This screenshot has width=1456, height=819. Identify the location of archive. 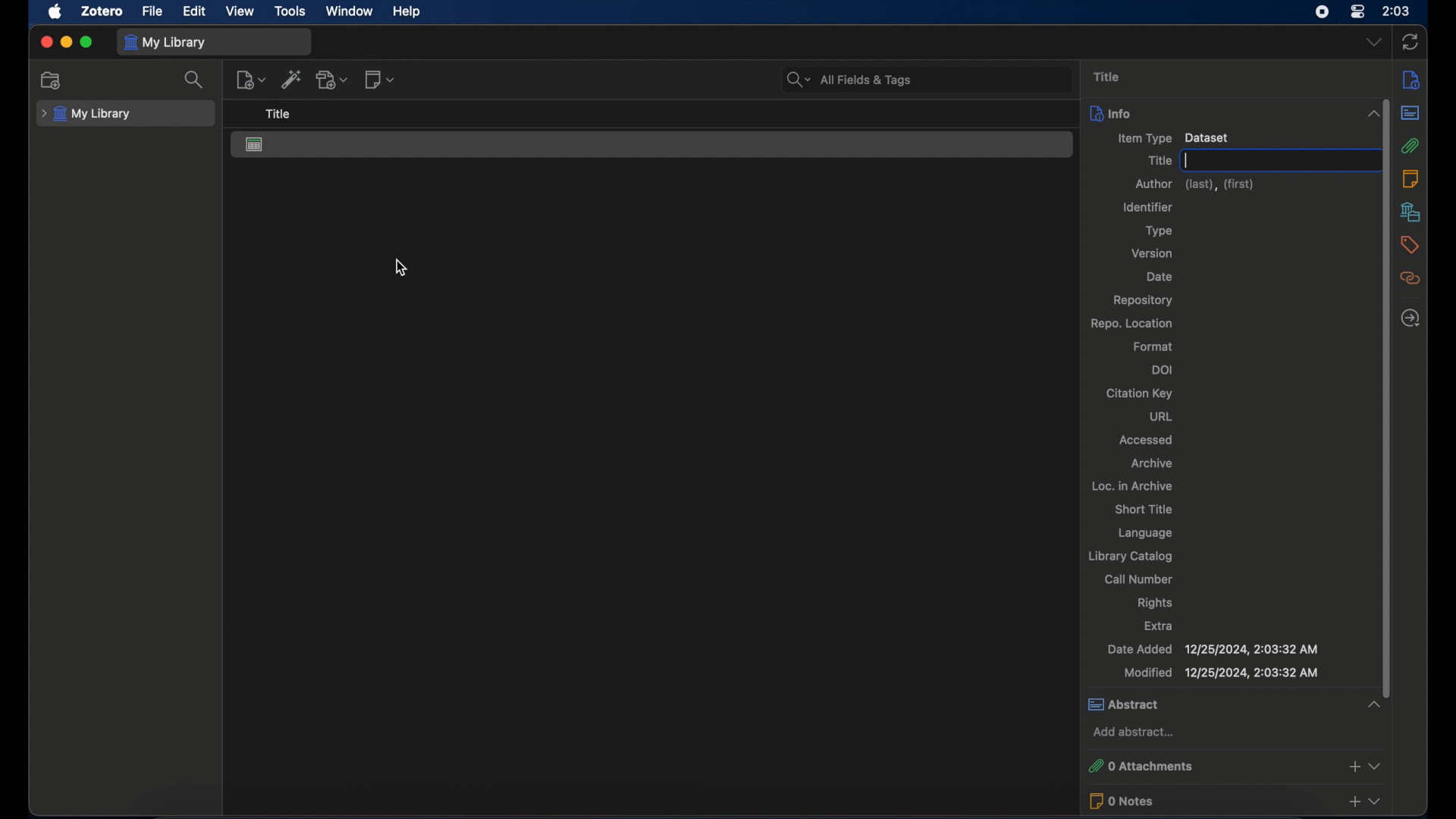
(1152, 463).